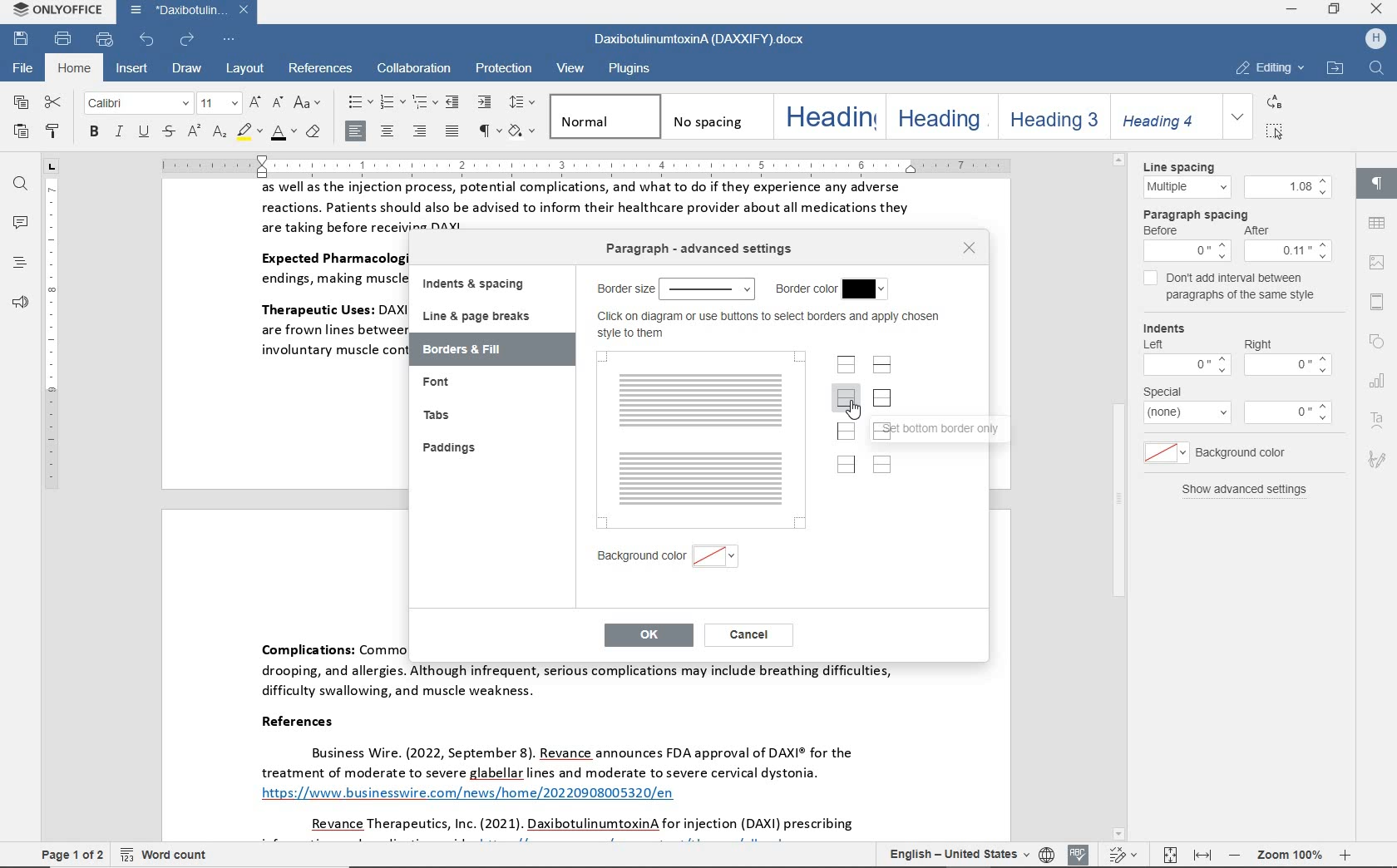 Image resolution: width=1397 pixels, height=868 pixels. What do you see at coordinates (1238, 116) in the screenshot?
I see `expand` at bounding box center [1238, 116].